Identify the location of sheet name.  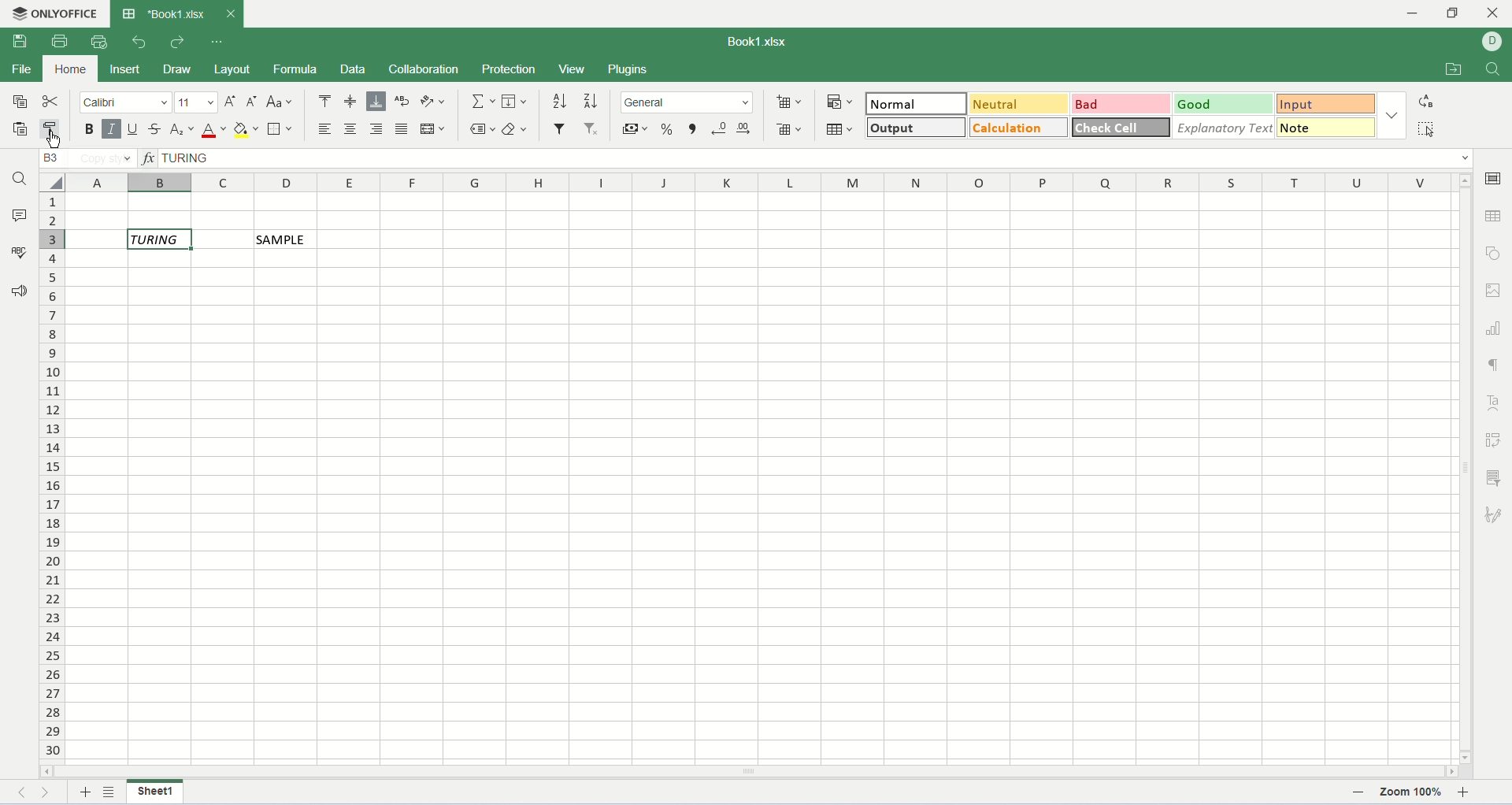
(154, 793).